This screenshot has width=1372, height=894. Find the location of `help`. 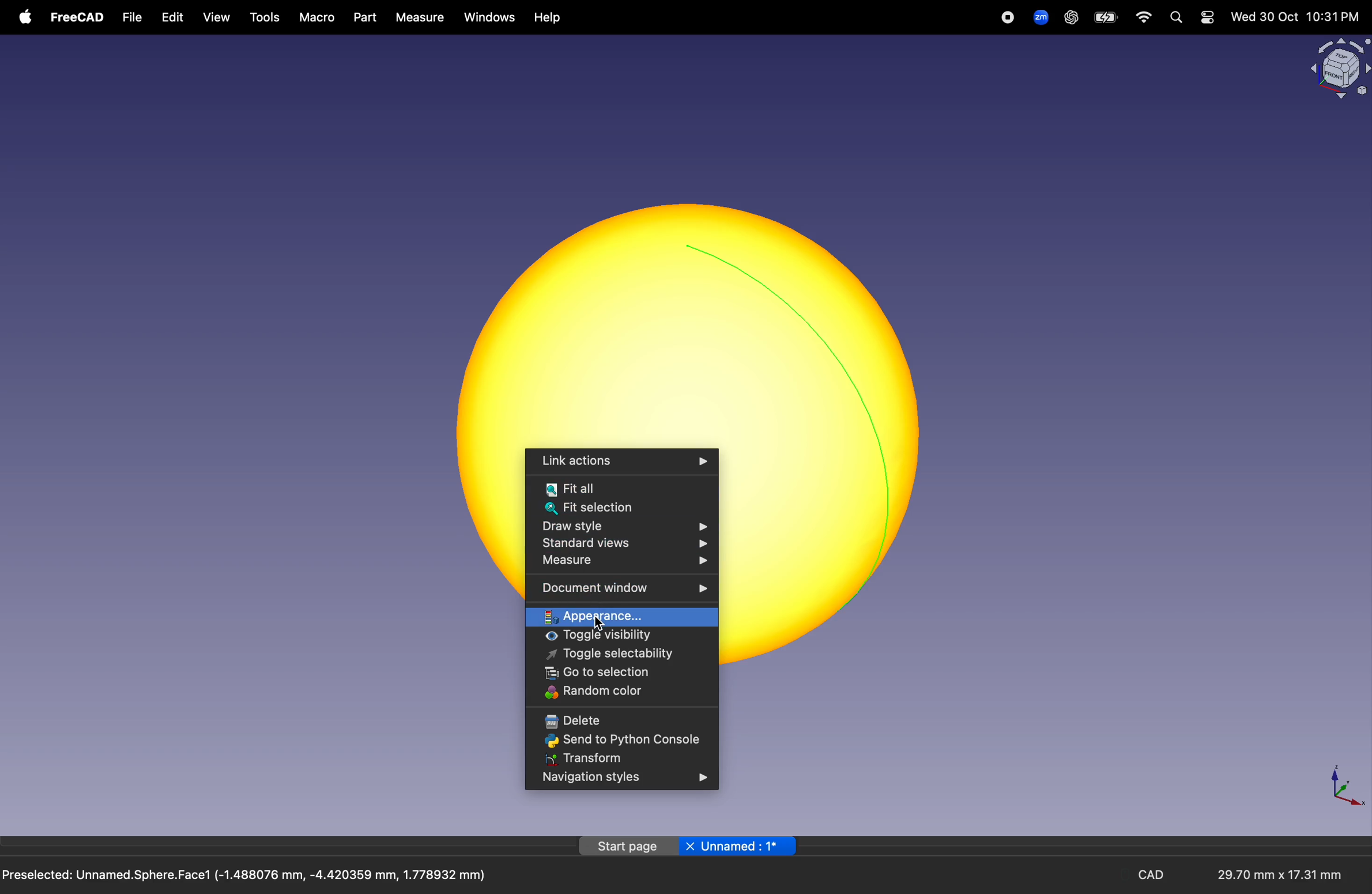

help is located at coordinates (549, 18).